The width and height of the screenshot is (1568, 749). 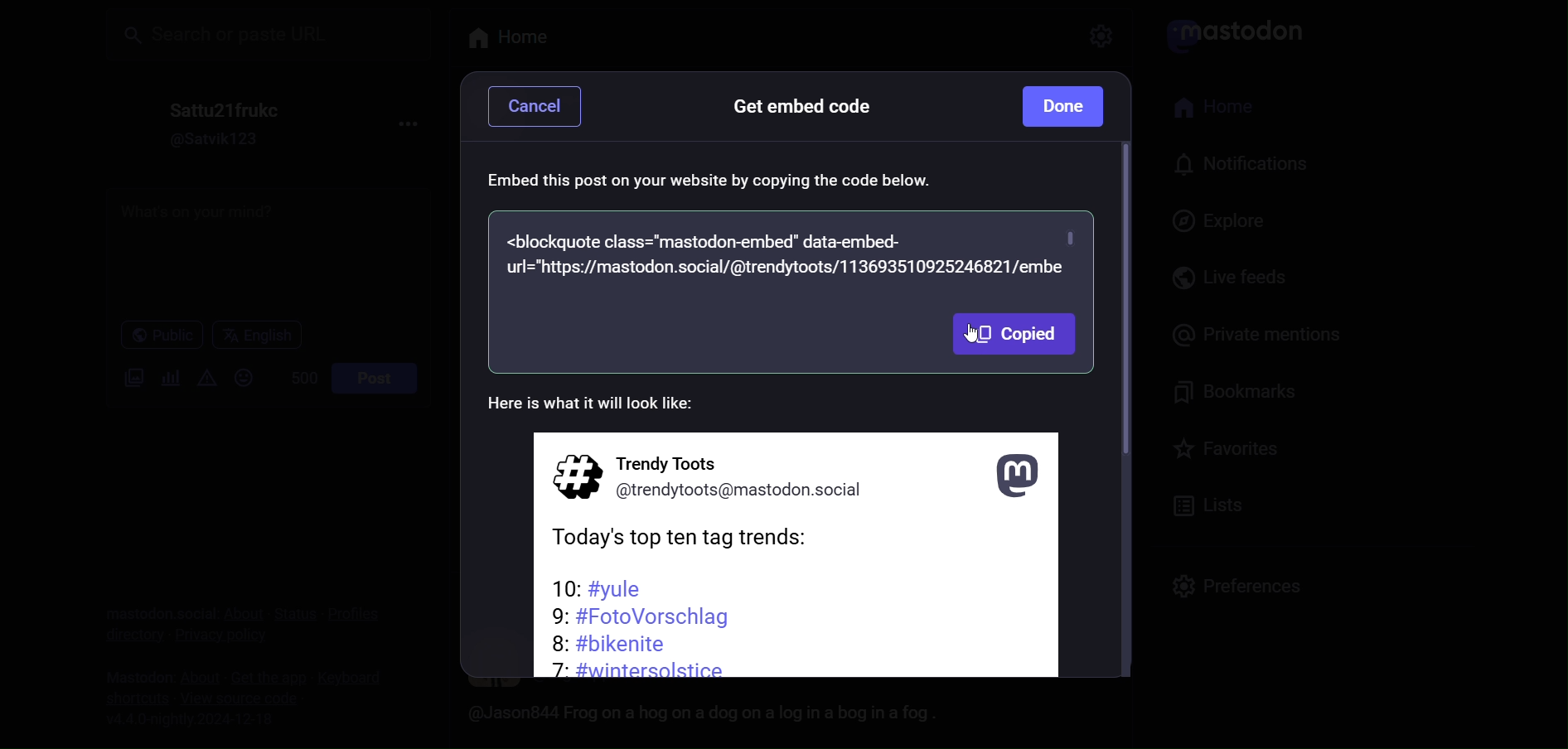 I want to click on scroll bar, so click(x=1123, y=410).